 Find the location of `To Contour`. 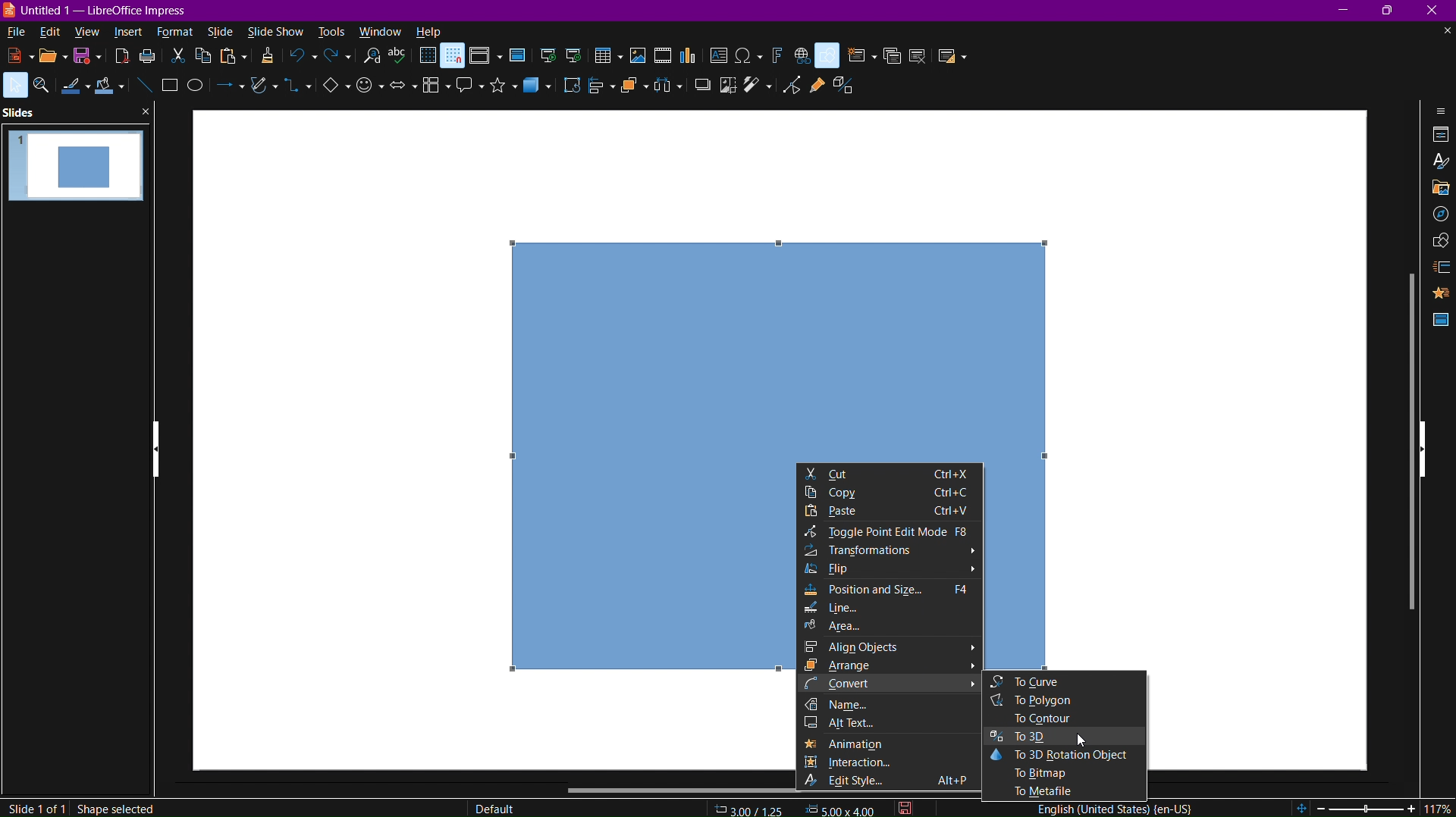

To Contour is located at coordinates (1064, 719).